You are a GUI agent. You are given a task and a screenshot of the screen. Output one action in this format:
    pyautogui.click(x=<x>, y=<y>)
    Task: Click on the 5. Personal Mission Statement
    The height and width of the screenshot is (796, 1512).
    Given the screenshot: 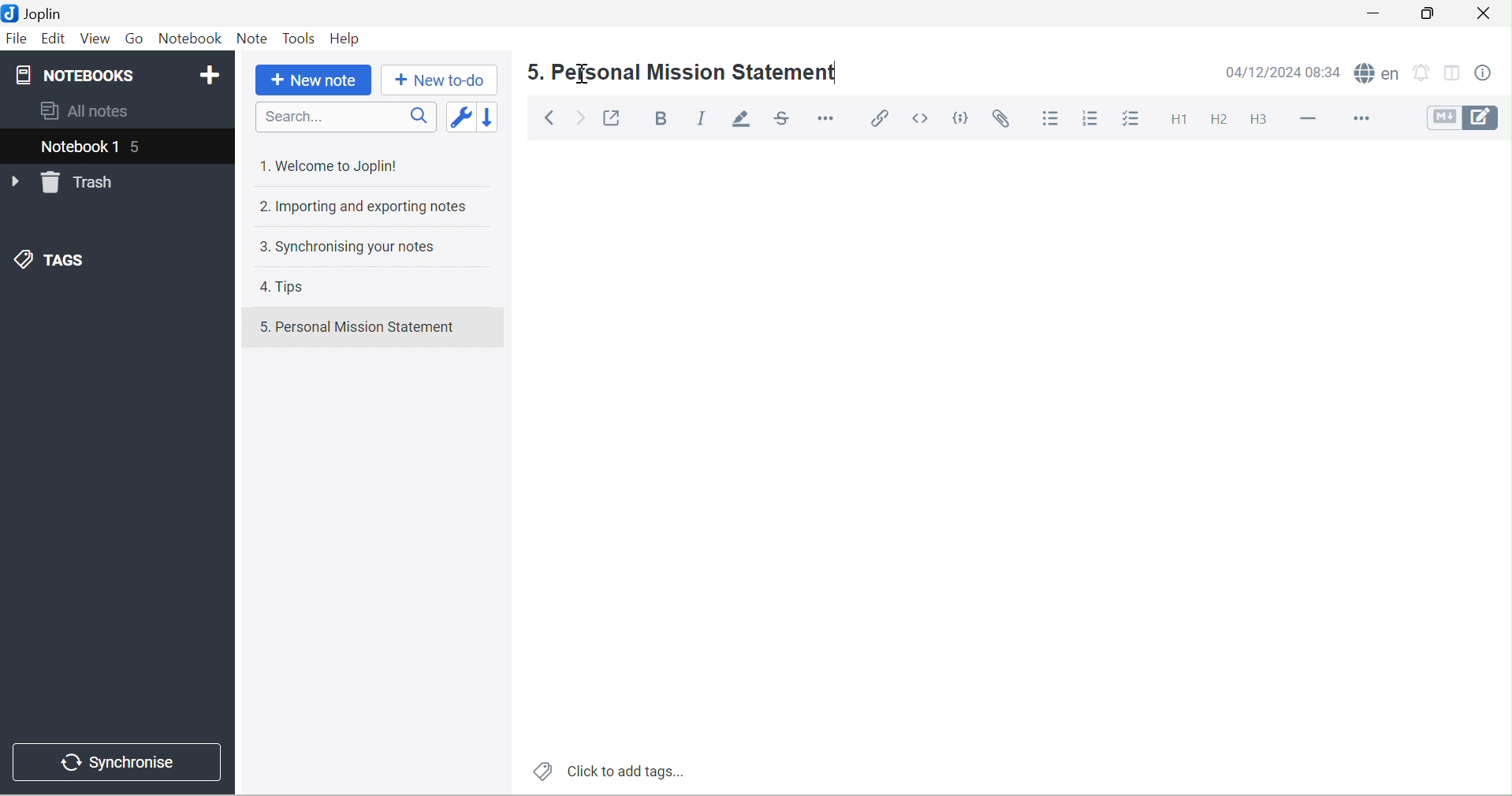 What is the action you would take?
    pyautogui.click(x=359, y=326)
    